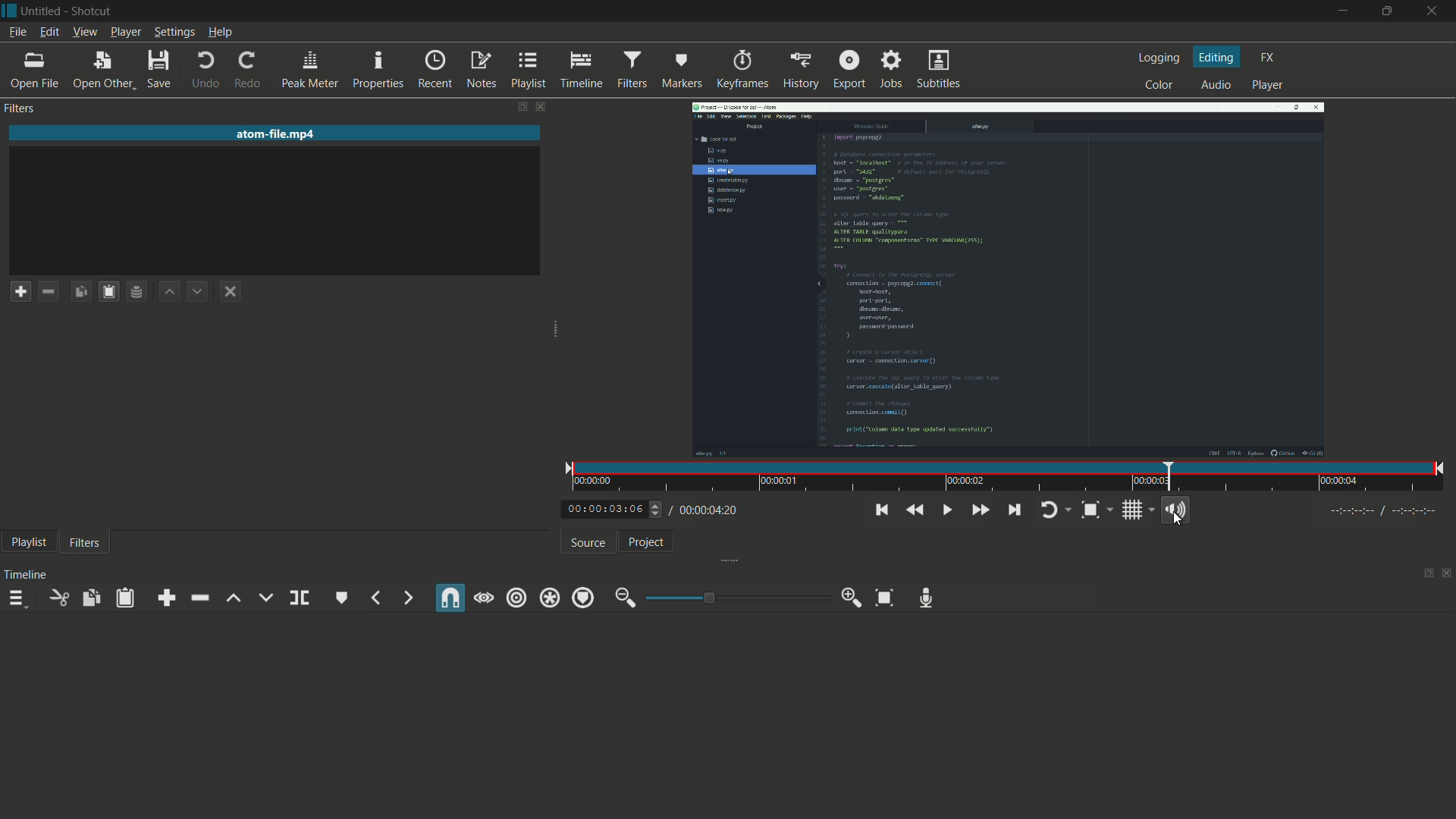 This screenshot has height=819, width=1456. I want to click on atom-file.mp4, so click(277, 133).